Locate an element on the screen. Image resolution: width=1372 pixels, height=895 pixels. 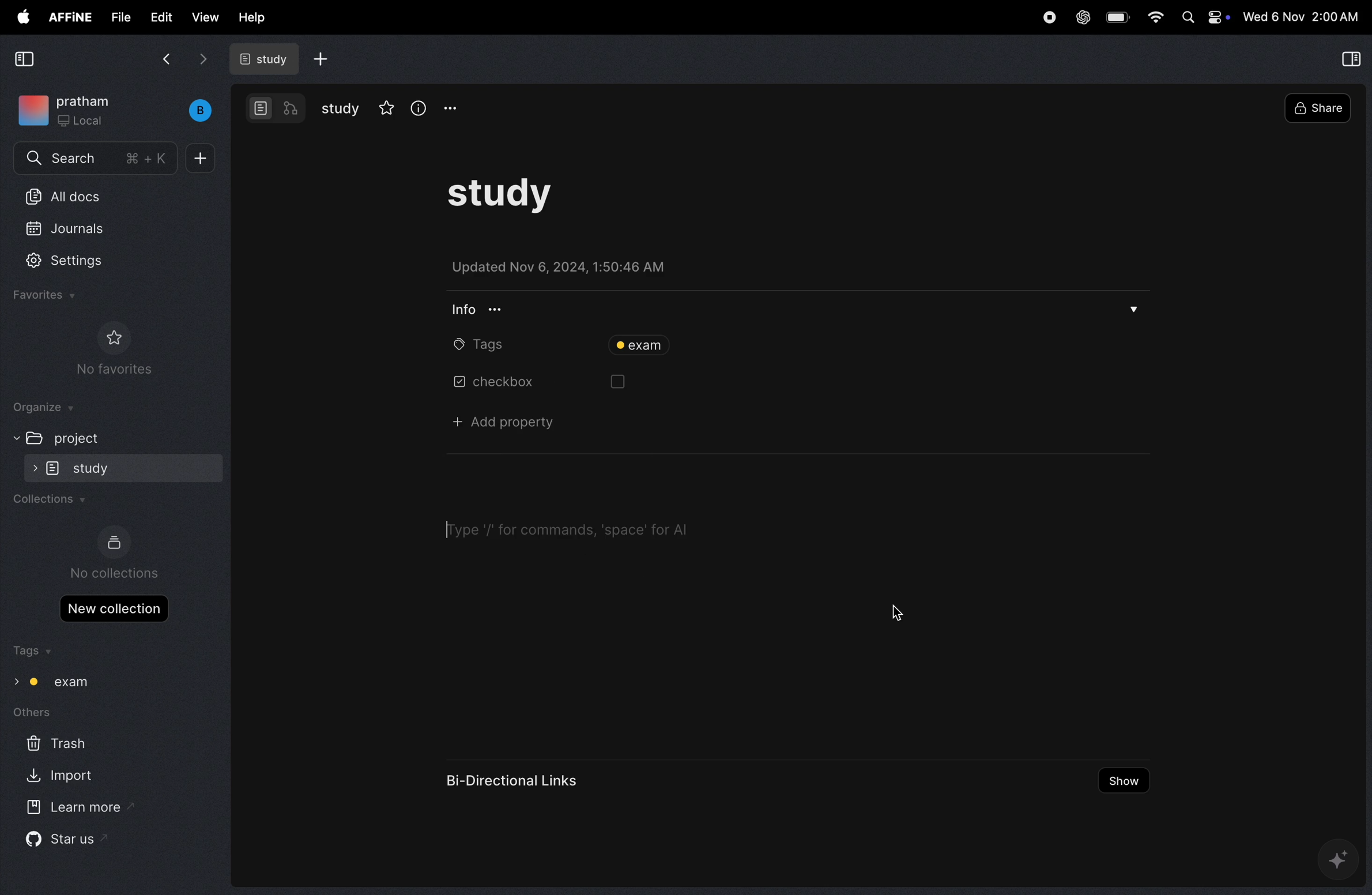
checkbox is located at coordinates (631, 386).